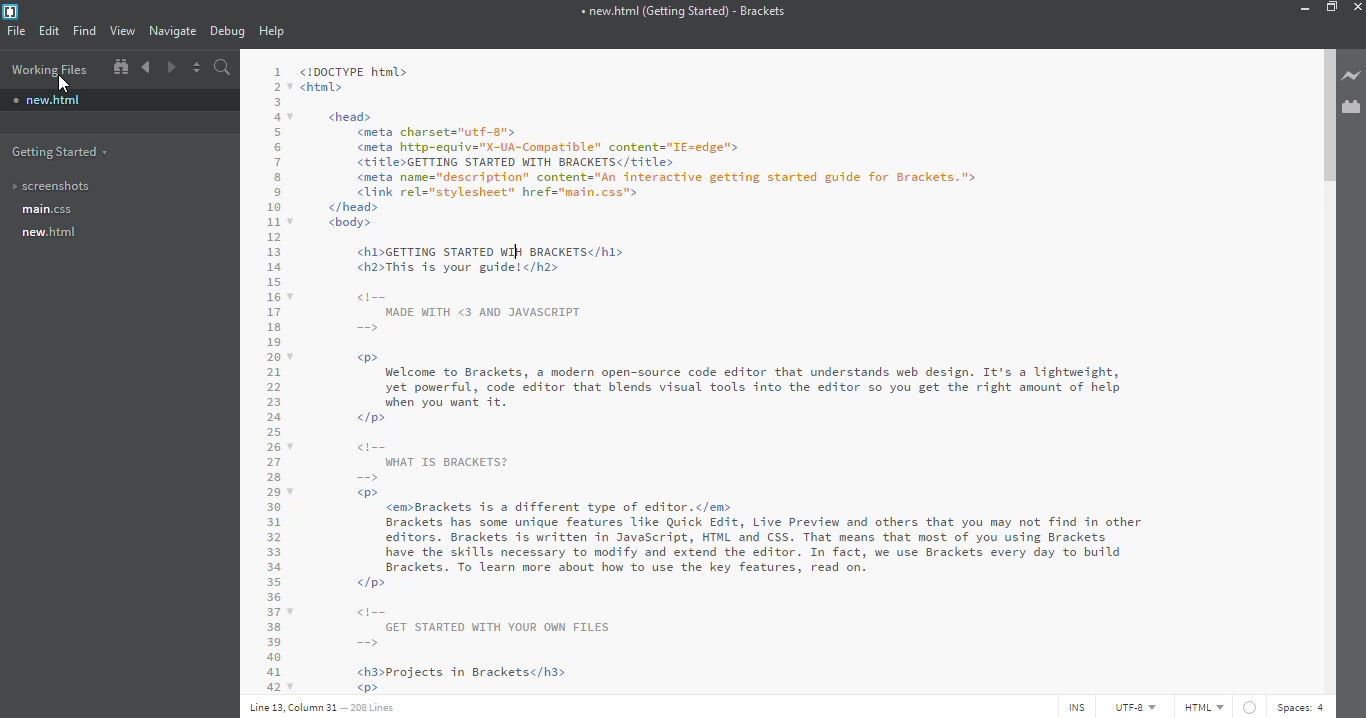 The height and width of the screenshot is (718, 1366). Describe the element at coordinates (61, 151) in the screenshot. I see `getting started` at that location.